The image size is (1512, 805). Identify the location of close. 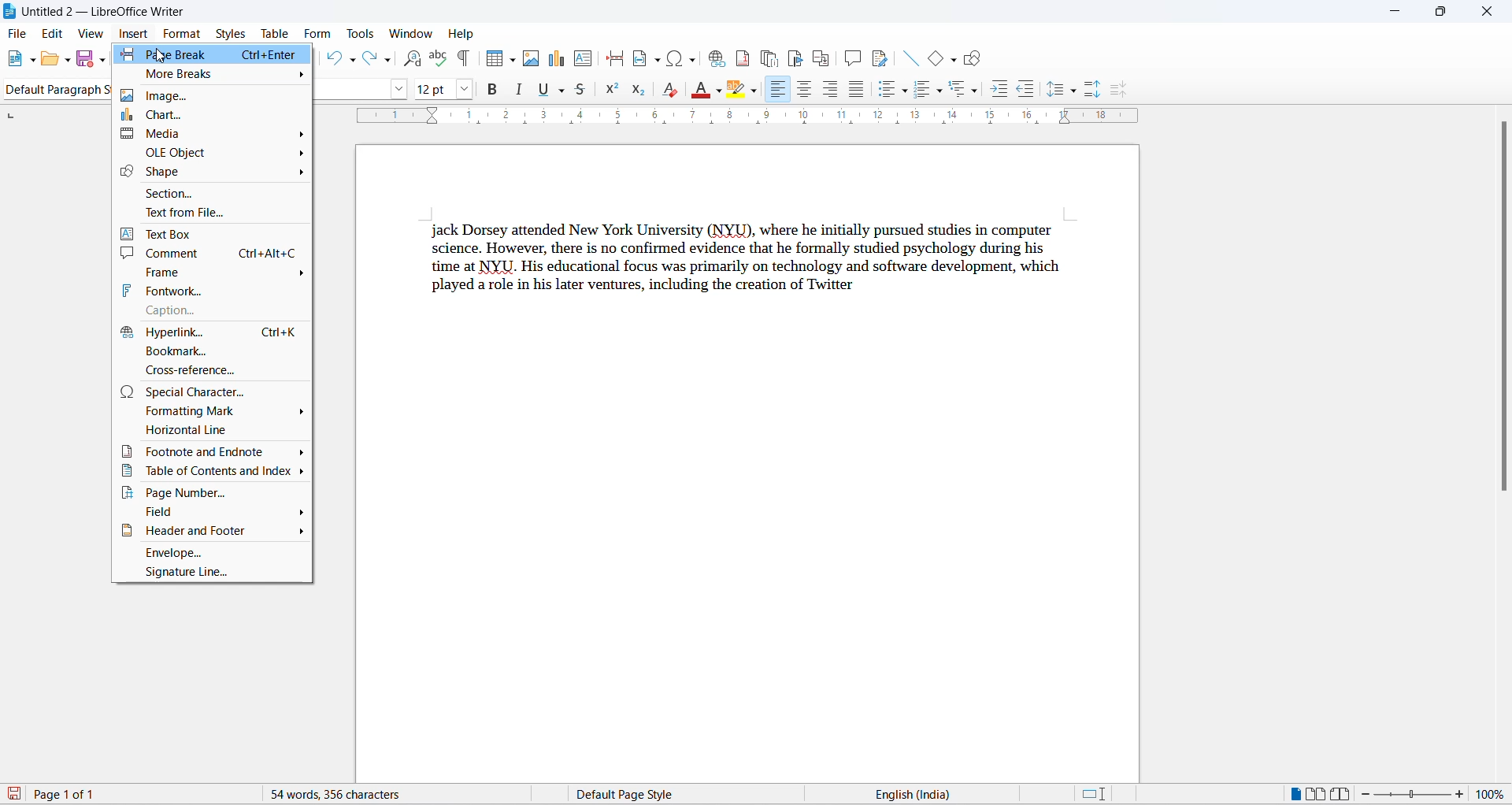
(1487, 9).